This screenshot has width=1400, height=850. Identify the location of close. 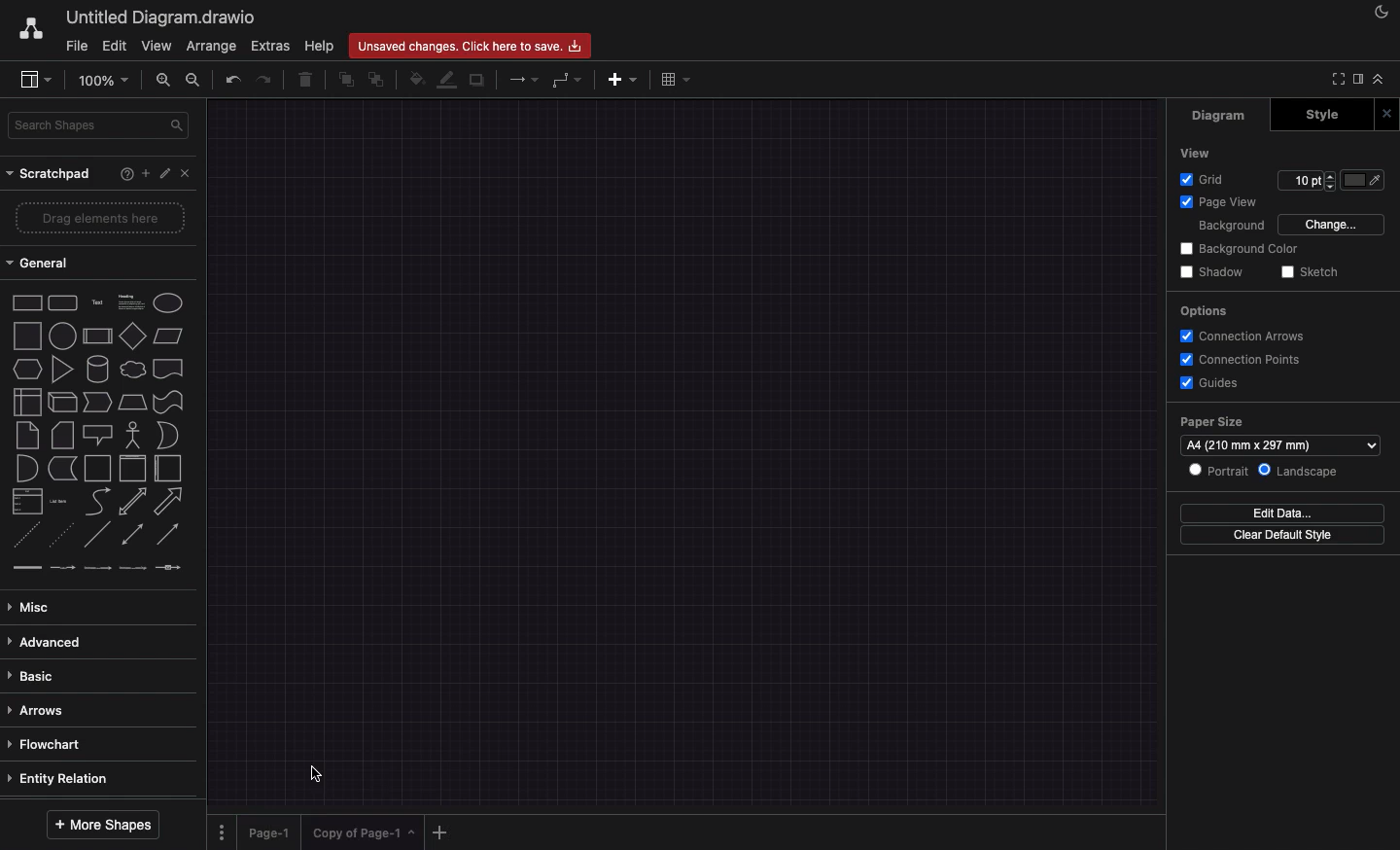
(1387, 113).